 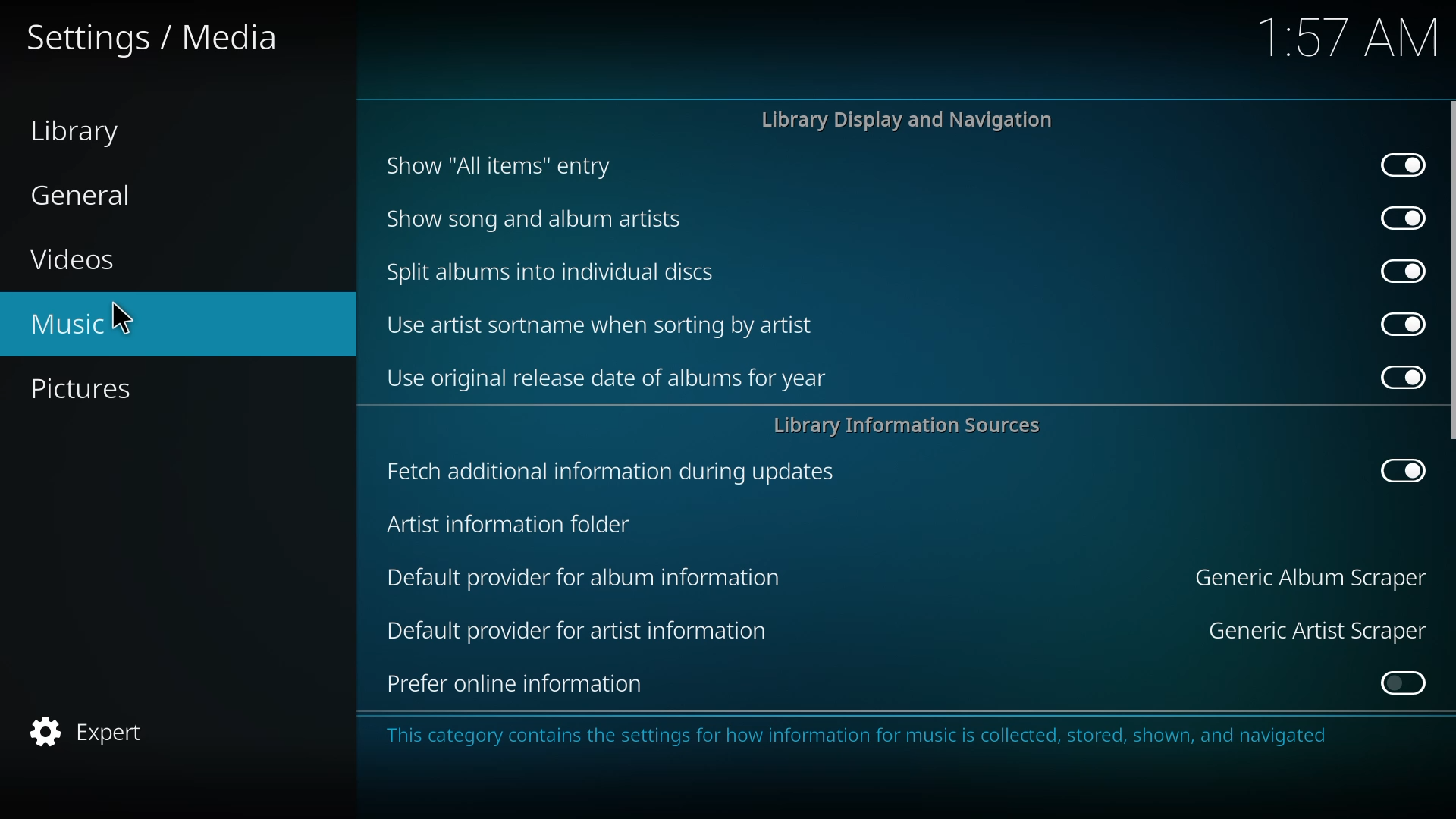 What do you see at coordinates (1399, 271) in the screenshot?
I see `enabled` at bounding box center [1399, 271].